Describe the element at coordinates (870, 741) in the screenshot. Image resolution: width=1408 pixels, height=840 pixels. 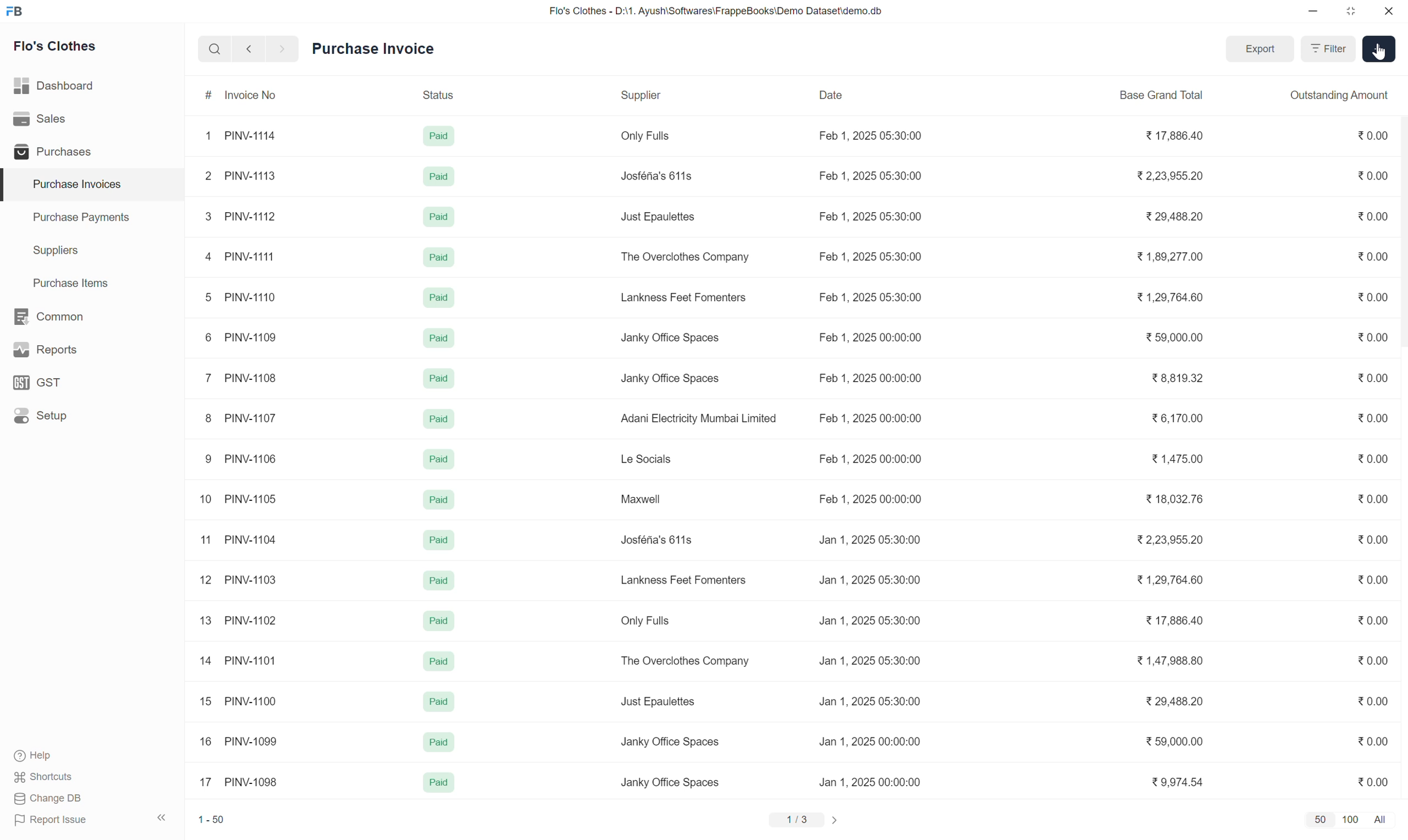
I see `Jan 1, 2025 00:00:00` at that location.